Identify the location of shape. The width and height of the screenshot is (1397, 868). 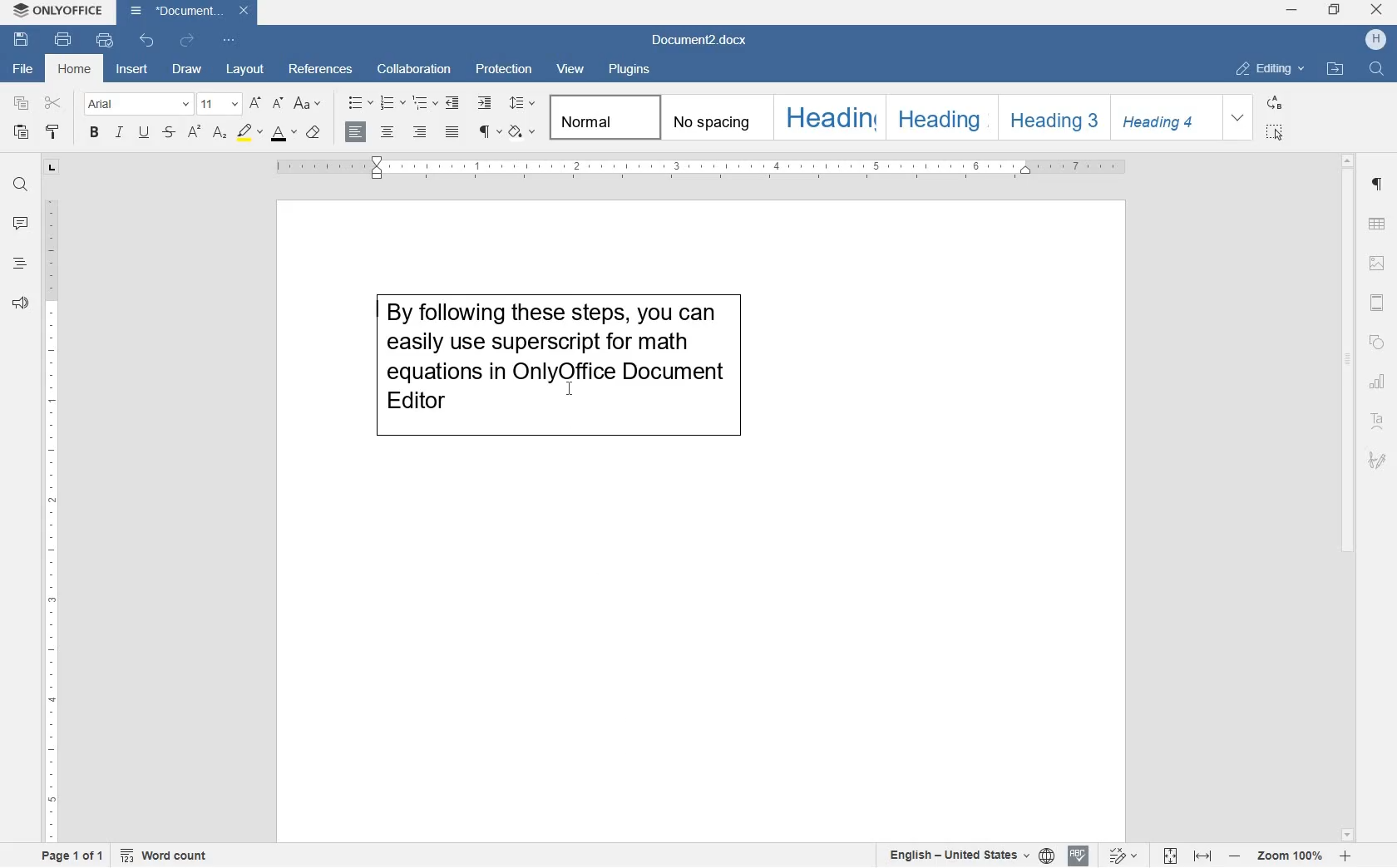
(1377, 344).